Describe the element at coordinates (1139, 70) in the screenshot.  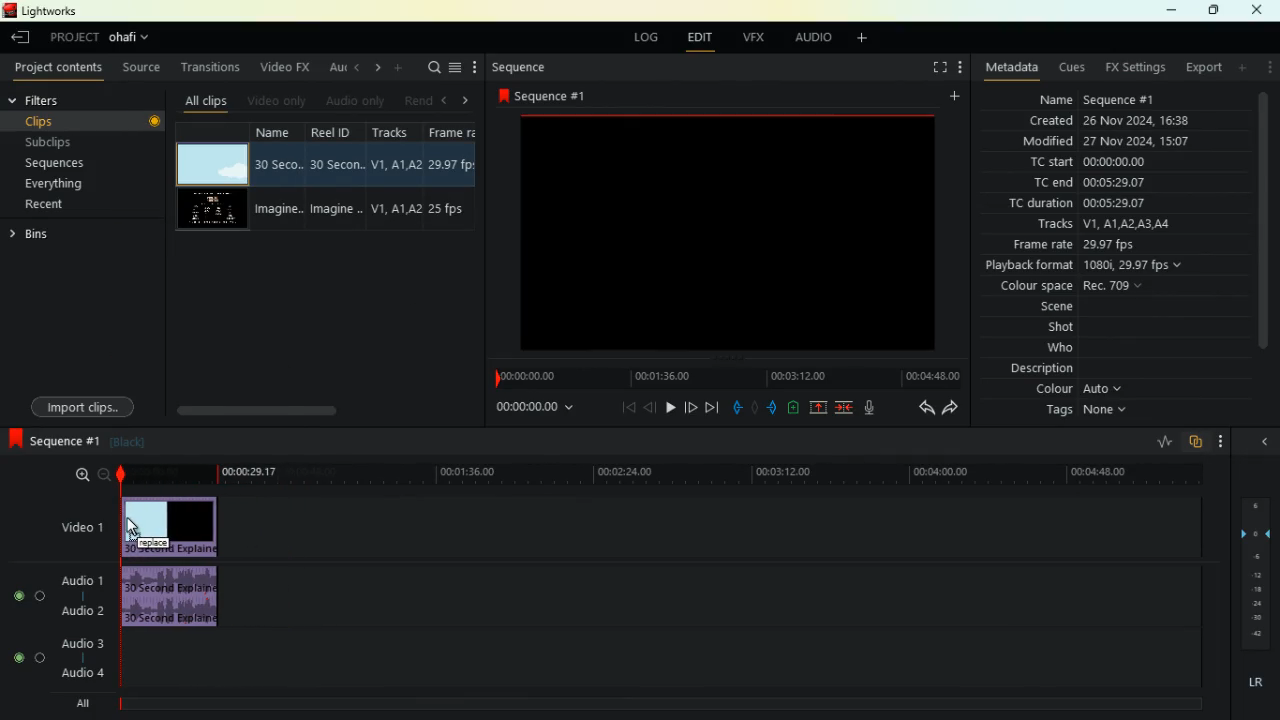
I see `fx setting` at that location.